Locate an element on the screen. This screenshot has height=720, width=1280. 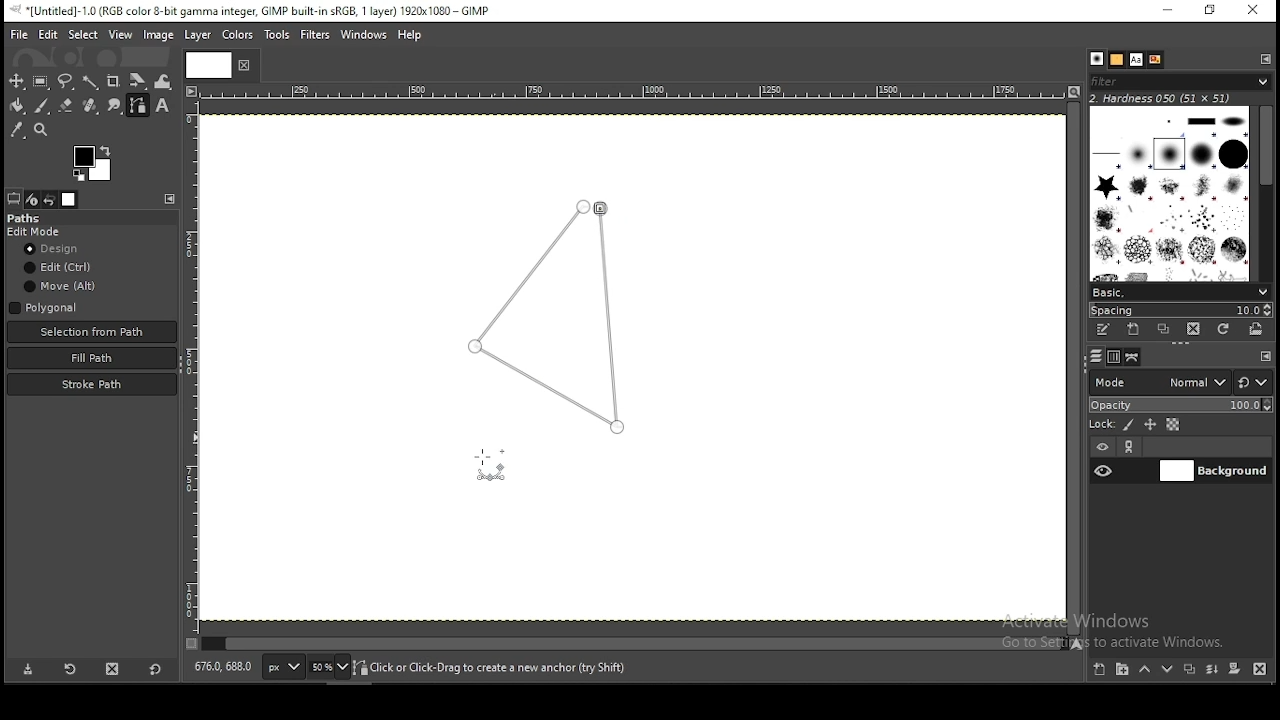
selection tool is located at coordinates (14, 81).